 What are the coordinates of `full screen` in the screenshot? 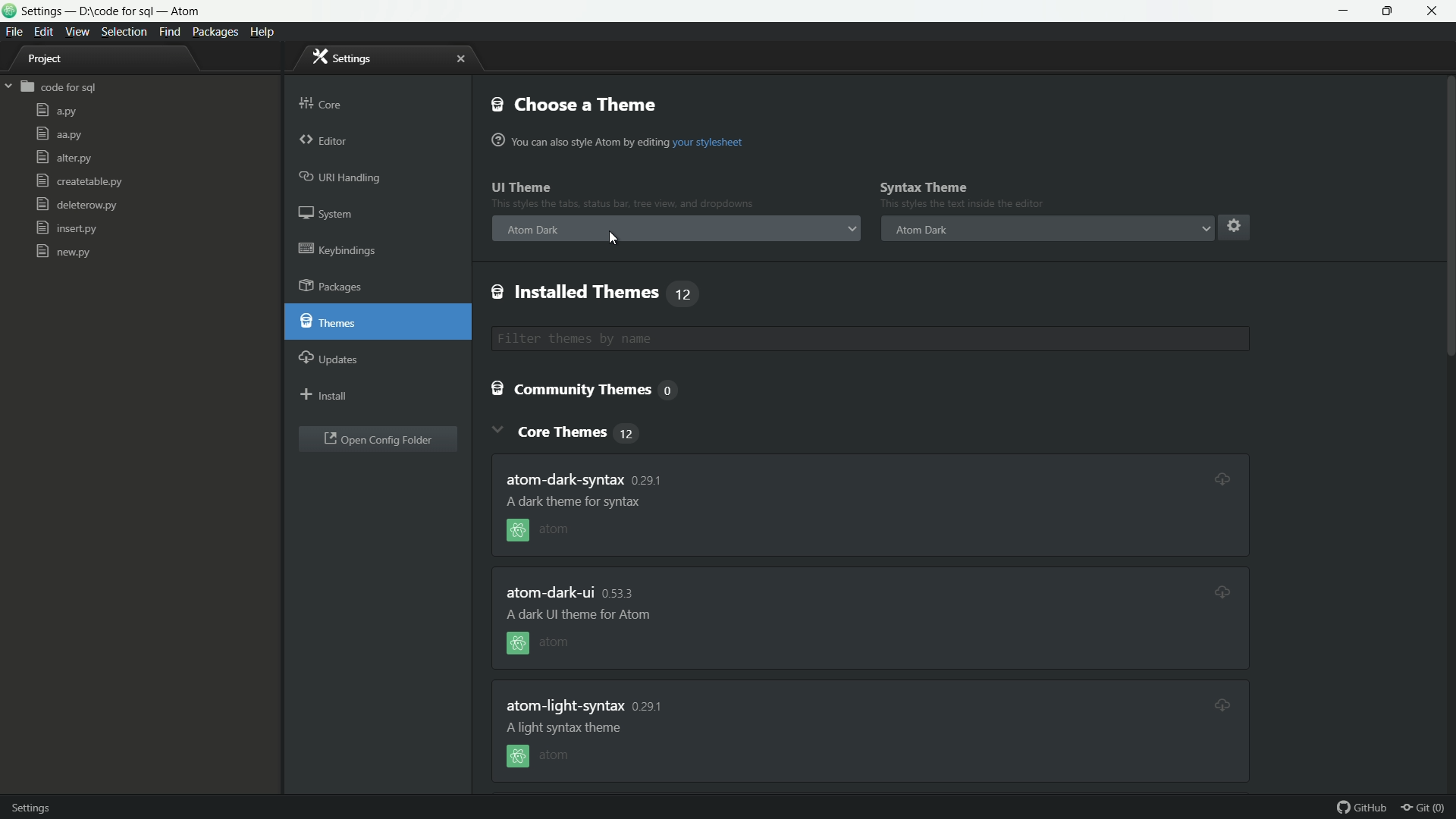 It's located at (1392, 11).